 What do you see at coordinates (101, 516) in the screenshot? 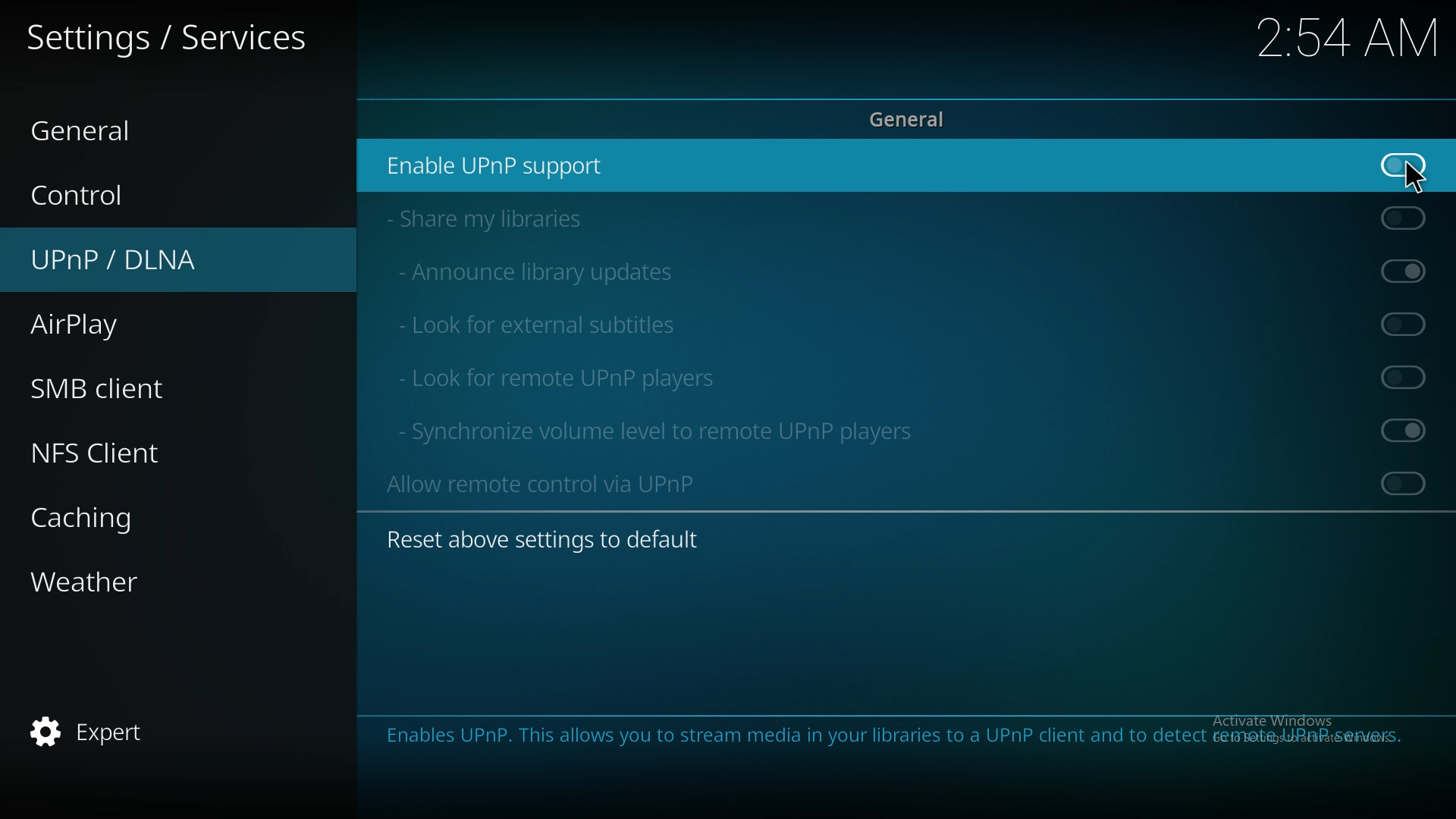
I see `caching` at bounding box center [101, 516].